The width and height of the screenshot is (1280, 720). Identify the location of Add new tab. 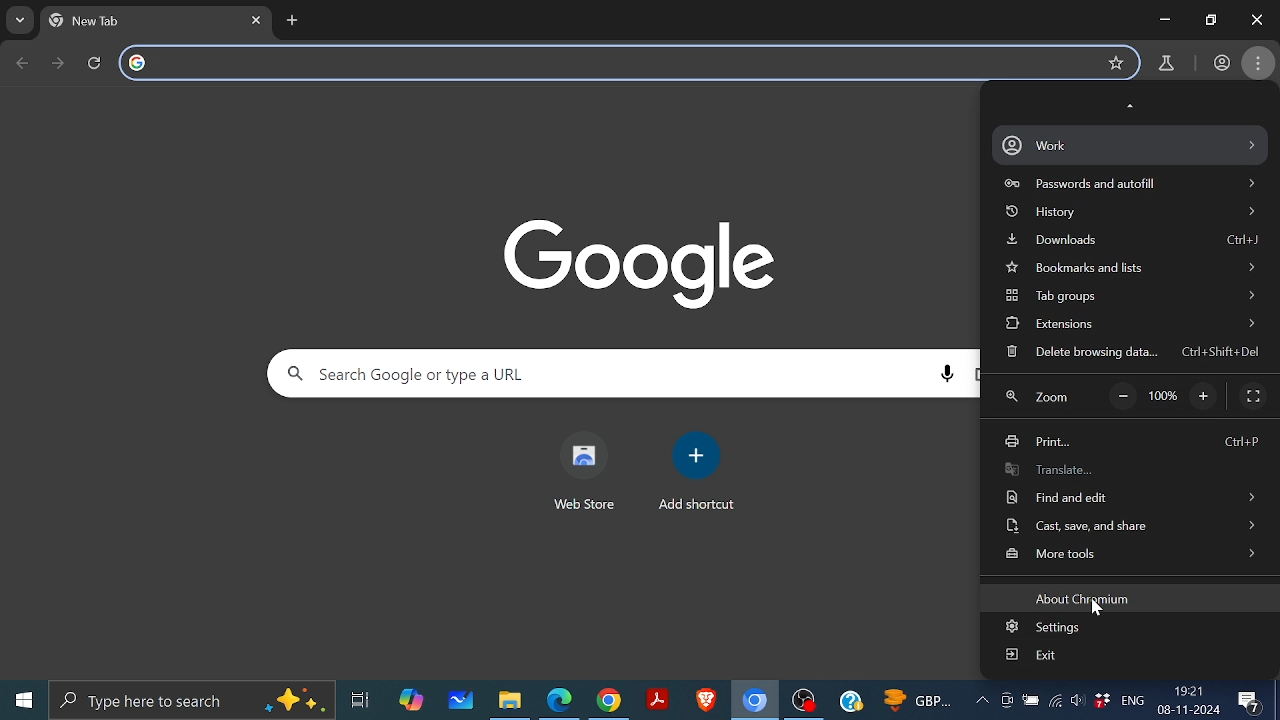
(294, 21).